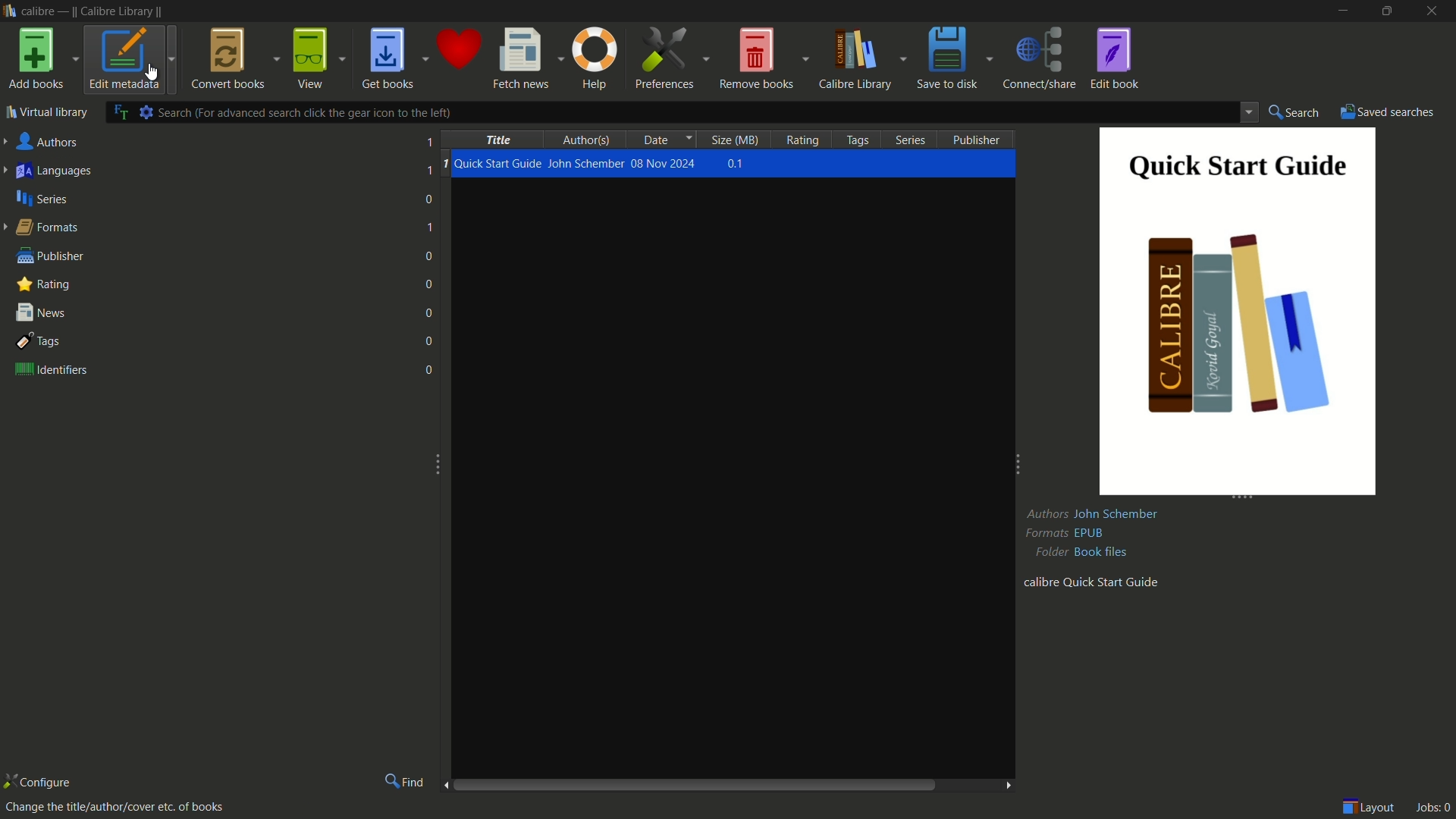 The width and height of the screenshot is (1456, 819). I want to click on expand, so click(436, 465).